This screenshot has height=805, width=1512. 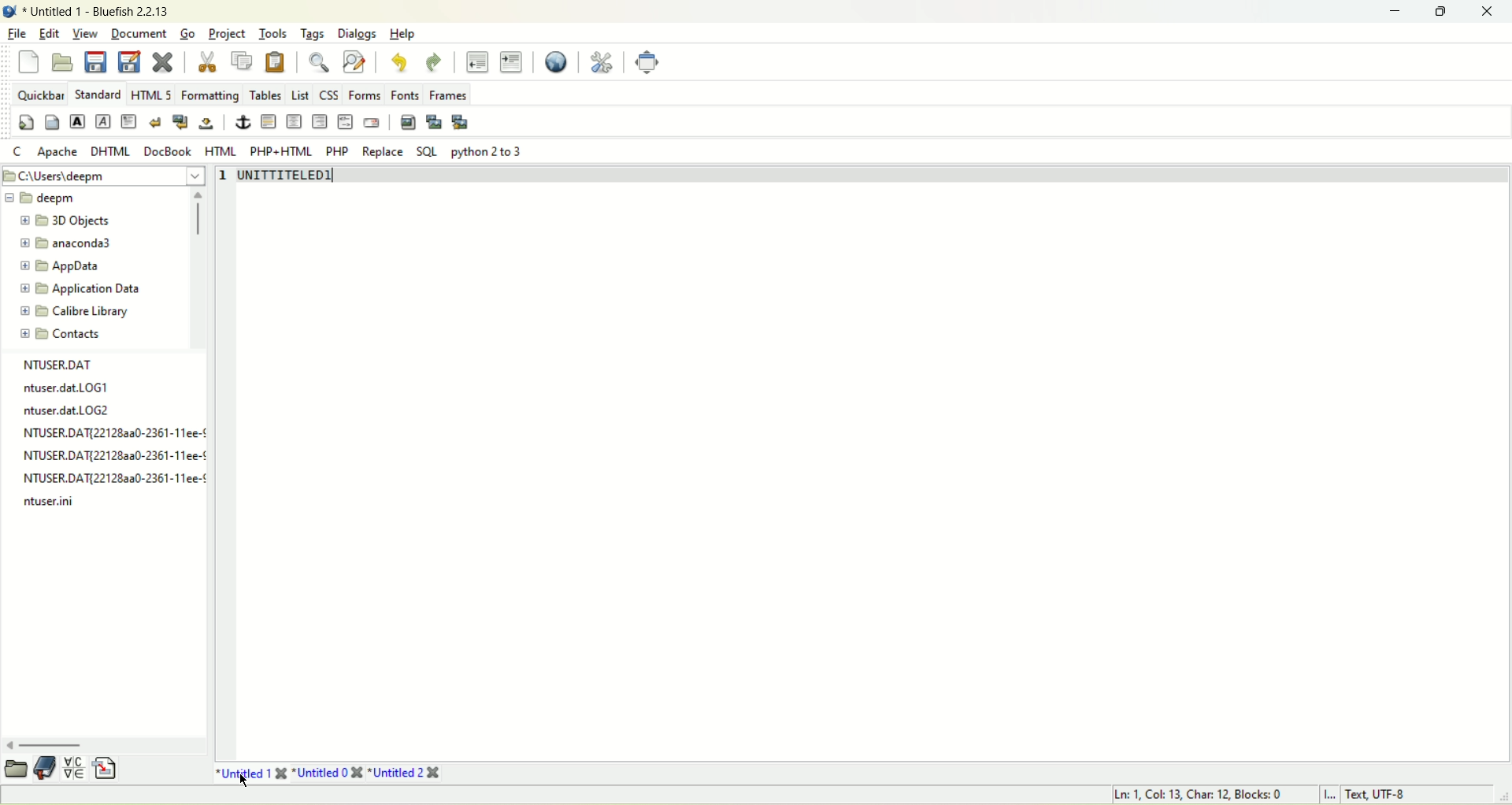 I want to click on Cc, so click(x=17, y=150).